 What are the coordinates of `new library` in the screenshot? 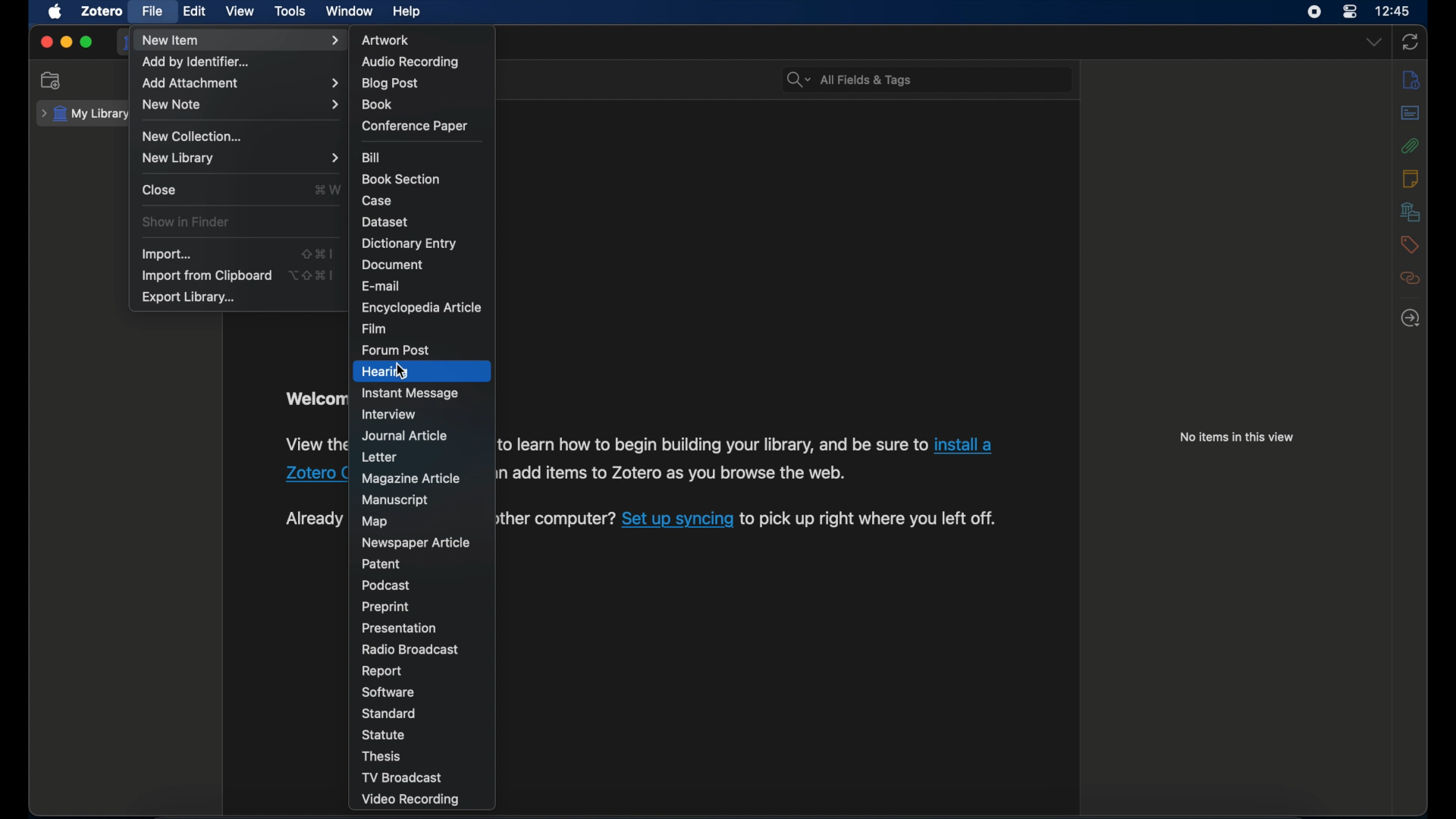 It's located at (242, 158).